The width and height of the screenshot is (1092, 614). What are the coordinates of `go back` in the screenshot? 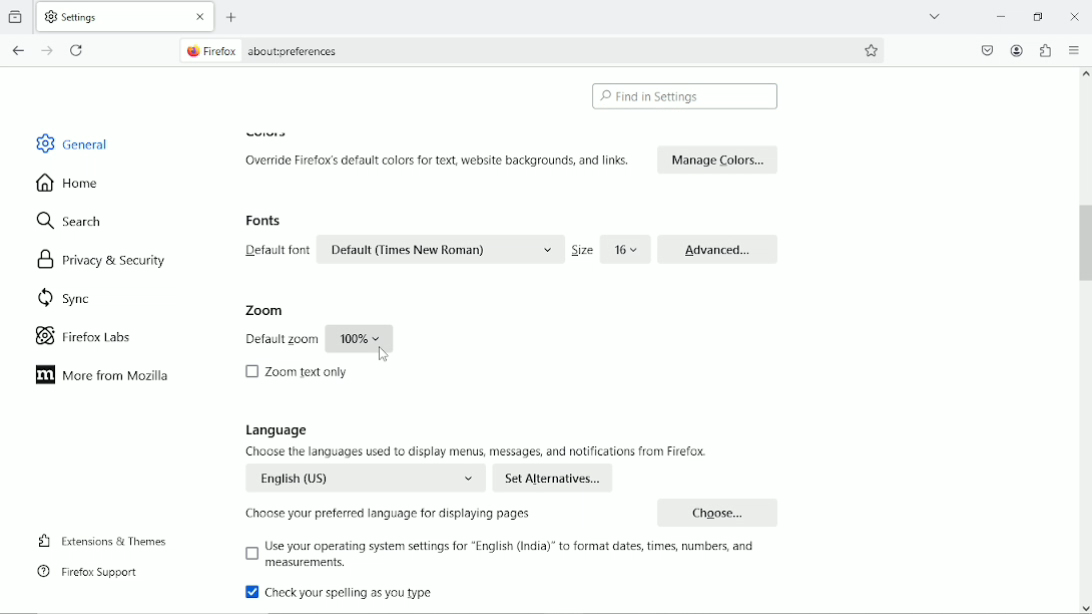 It's located at (18, 51).